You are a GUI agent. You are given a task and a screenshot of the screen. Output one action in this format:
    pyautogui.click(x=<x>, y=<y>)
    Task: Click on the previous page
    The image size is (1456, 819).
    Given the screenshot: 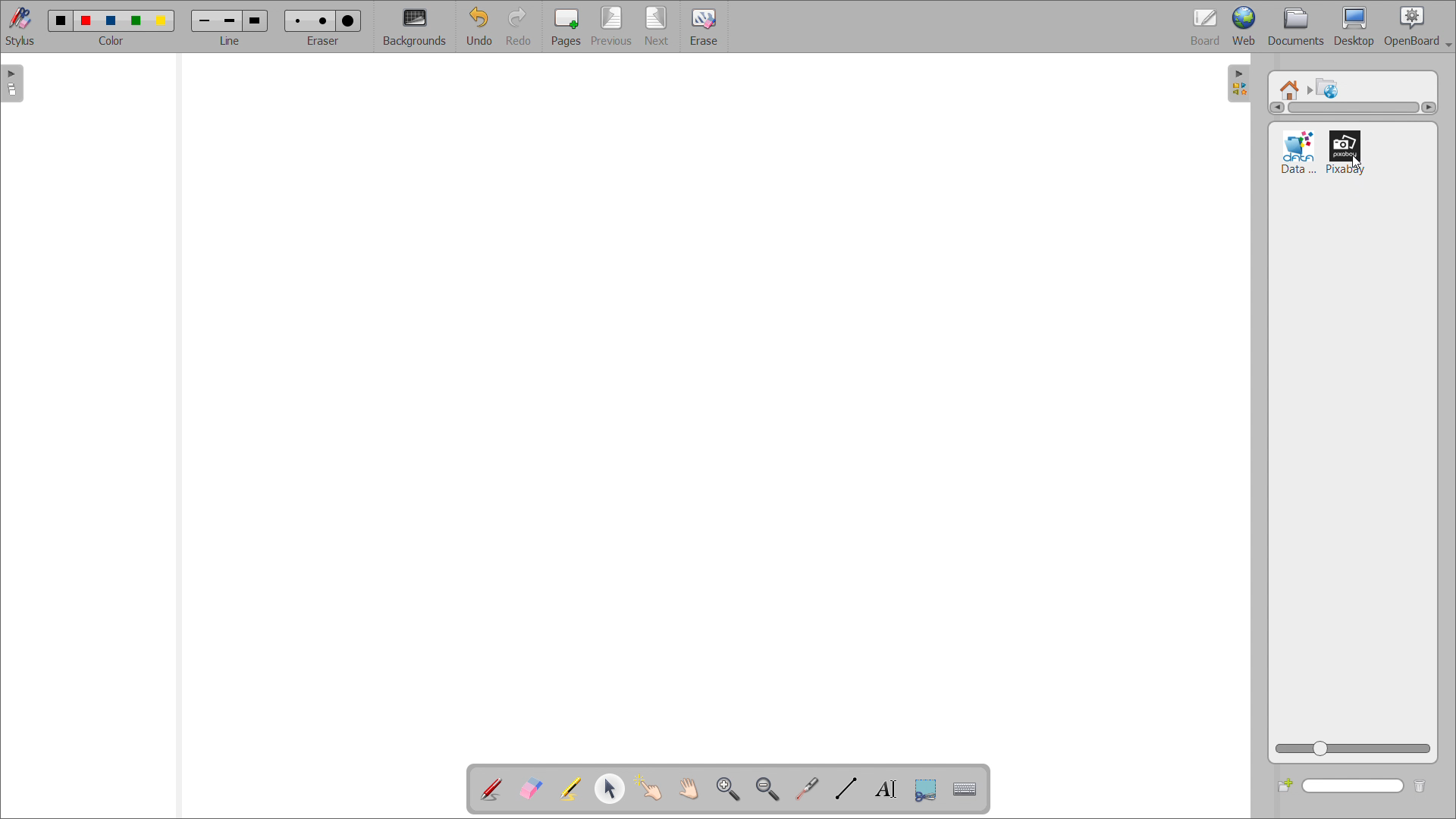 What is the action you would take?
    pyautogui.click(x=611, y=26)
    